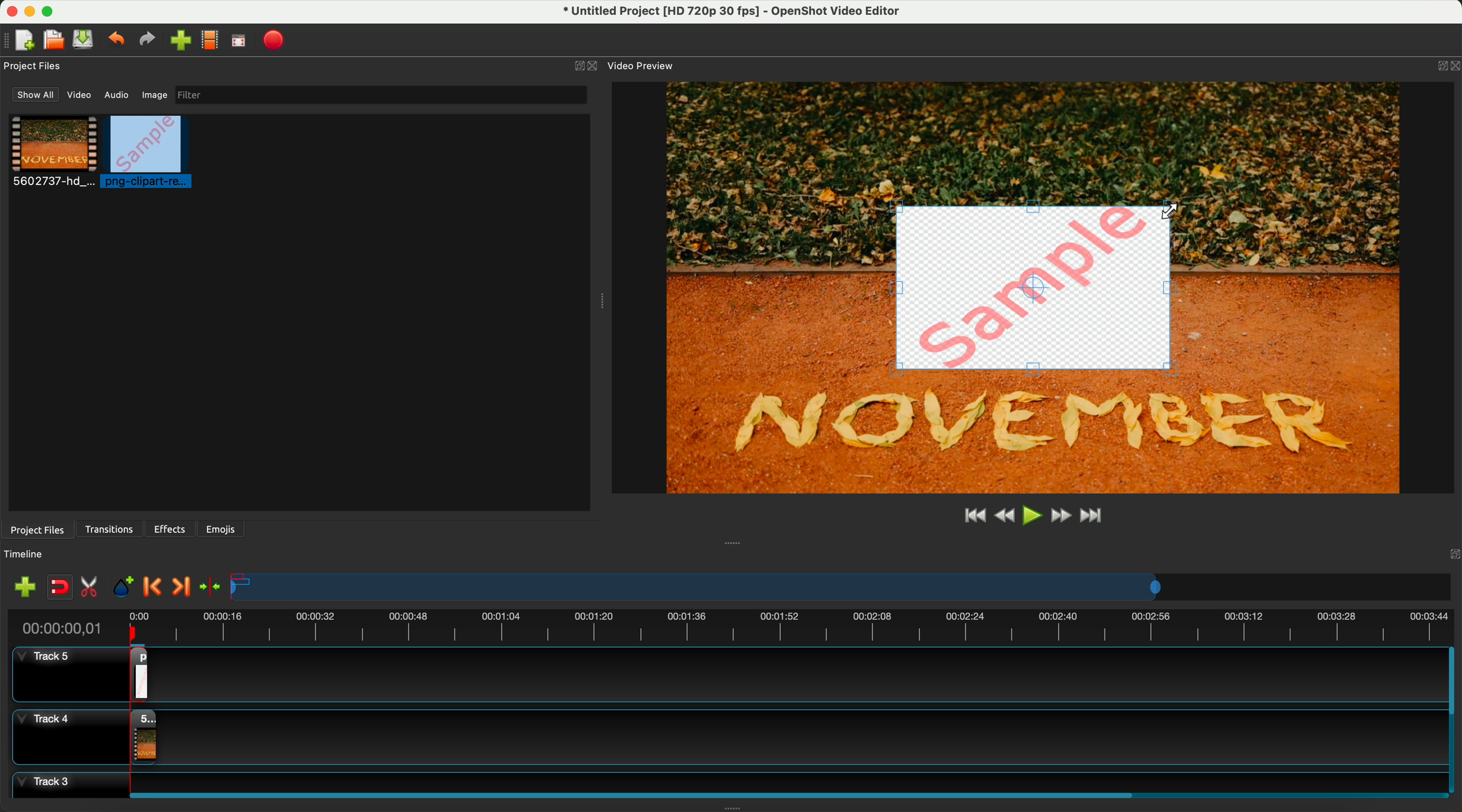 This screenshot has width=1462, height=812. I want to click on Window Expanding, so click(599, 302).